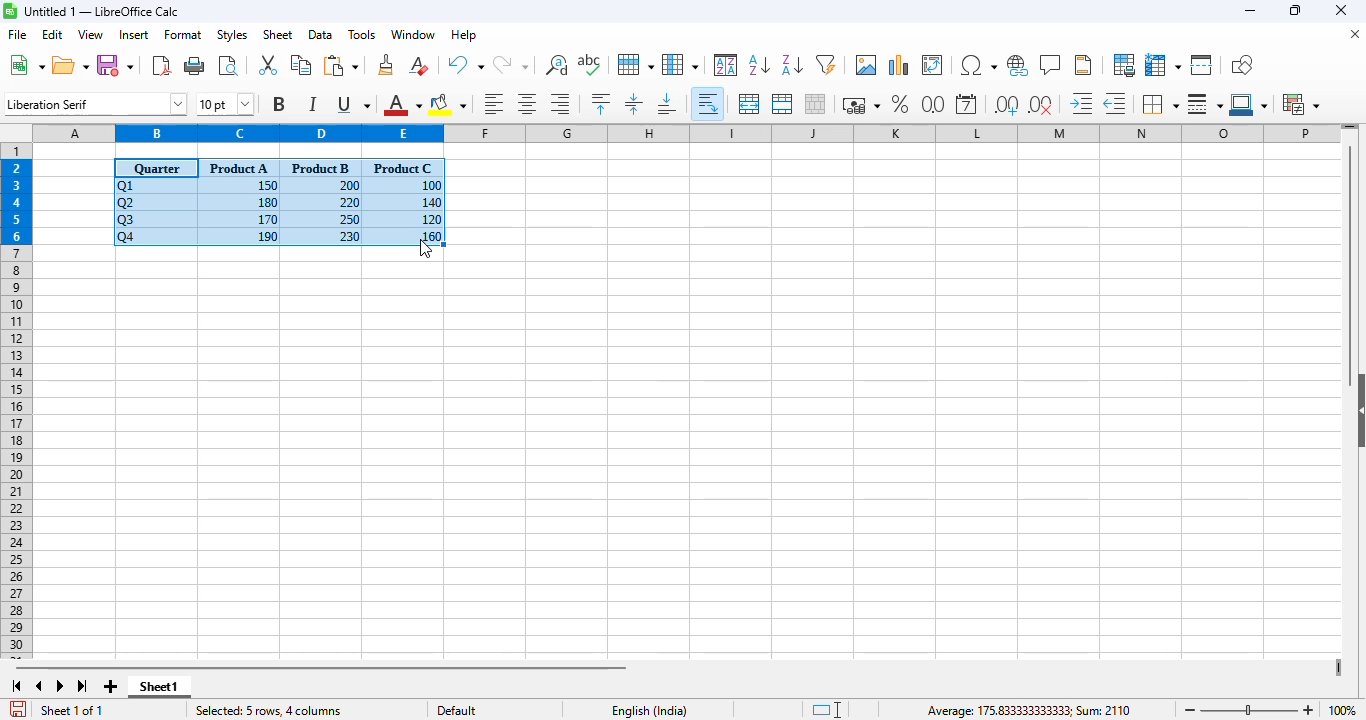 The height and width of the screenshot is (720, 1366). I want to click on insert or edit pivot table, so click(933, 65).